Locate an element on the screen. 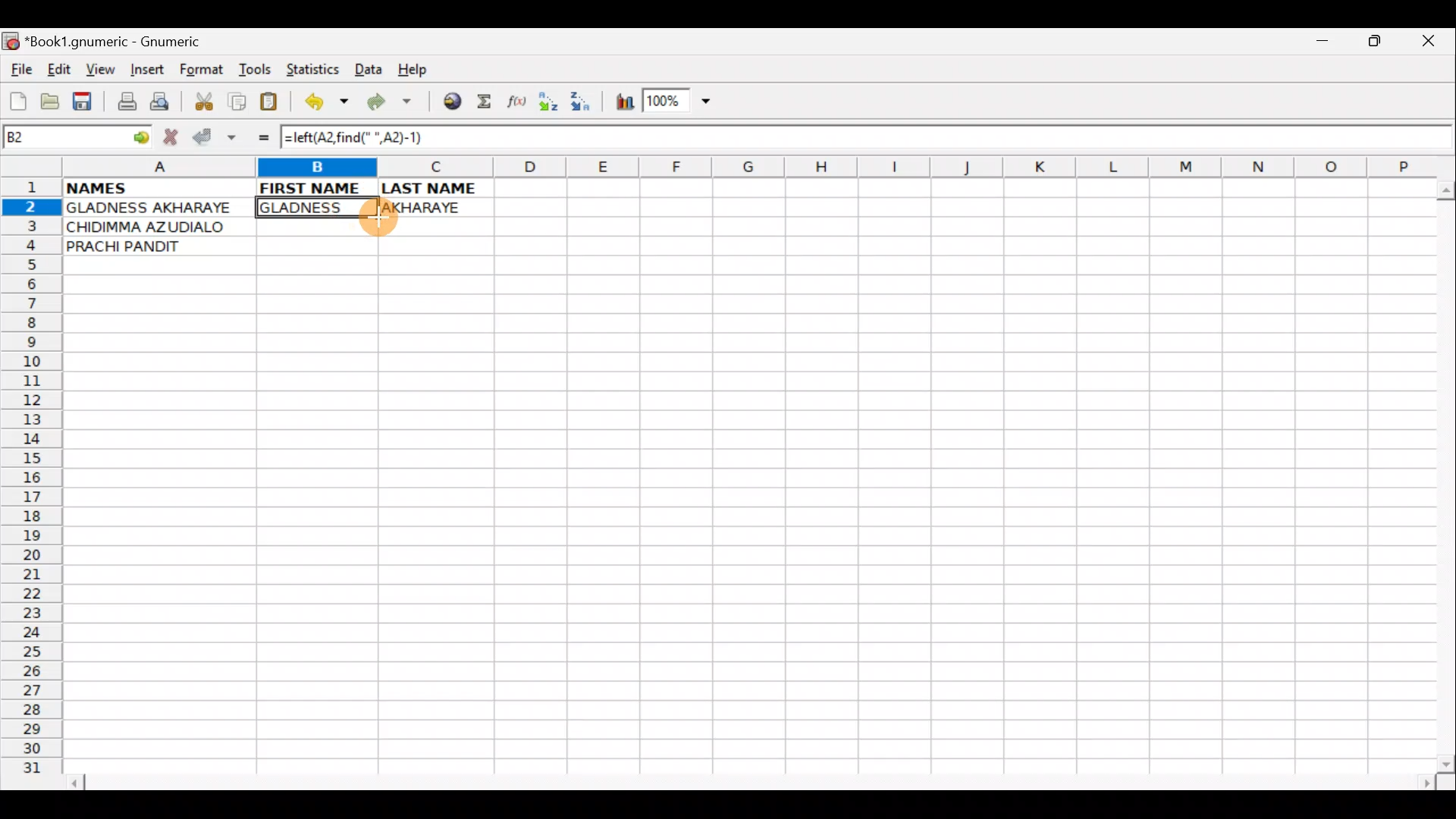 The width and height of the screenshot is (1456, 819). File is located at coordinates (20, 71).